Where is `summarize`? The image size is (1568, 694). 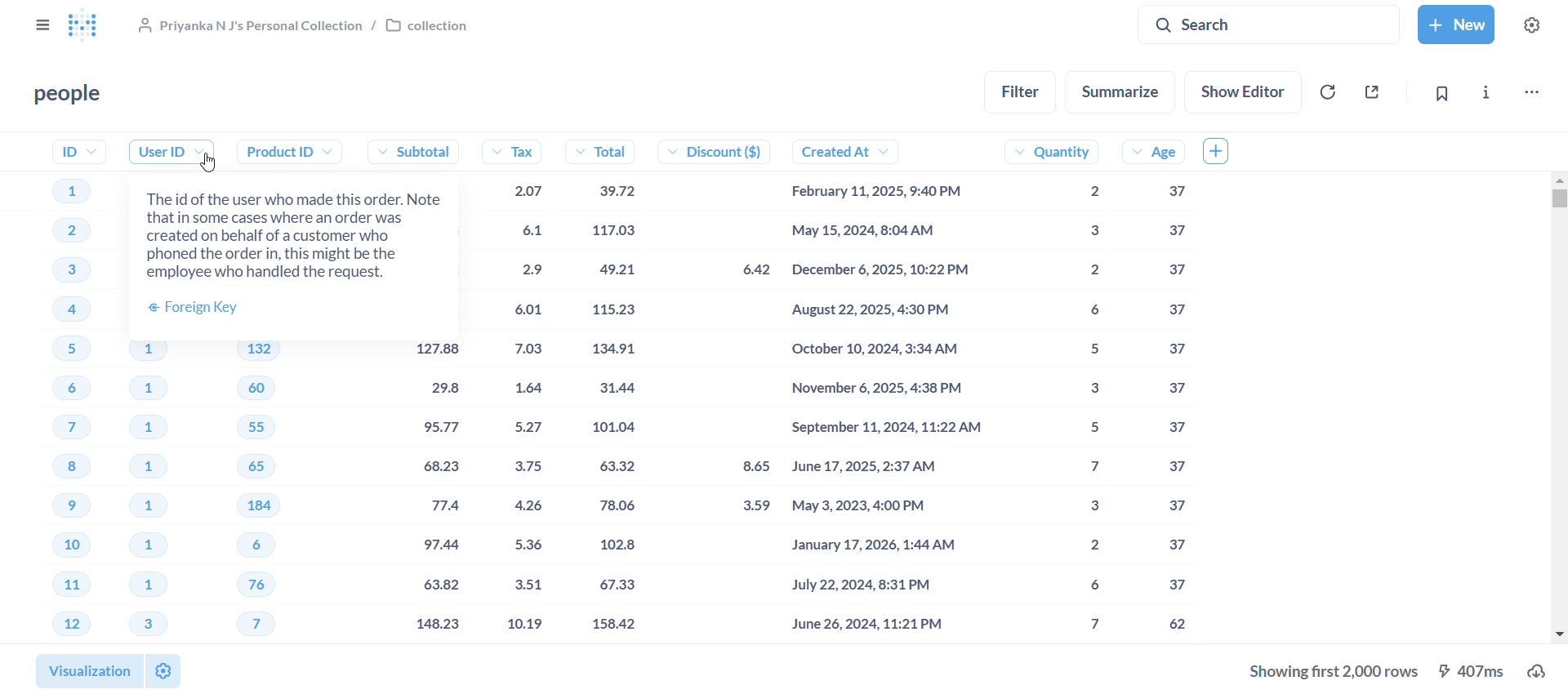
summarize is located at coordinates (1119, 90).